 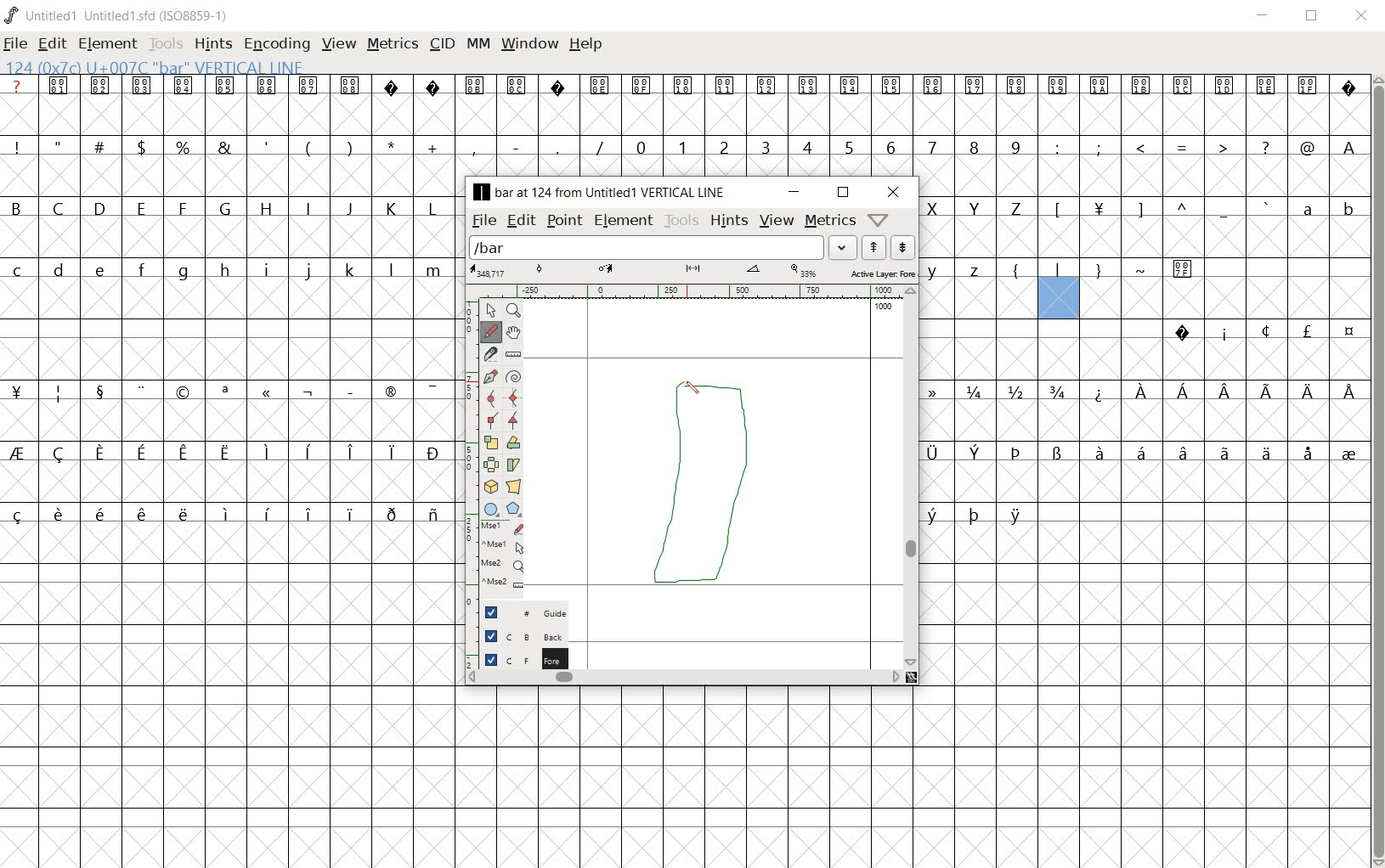 I want to click on add a curve point always either horizontal or vertical, so click(x=512, y=397).